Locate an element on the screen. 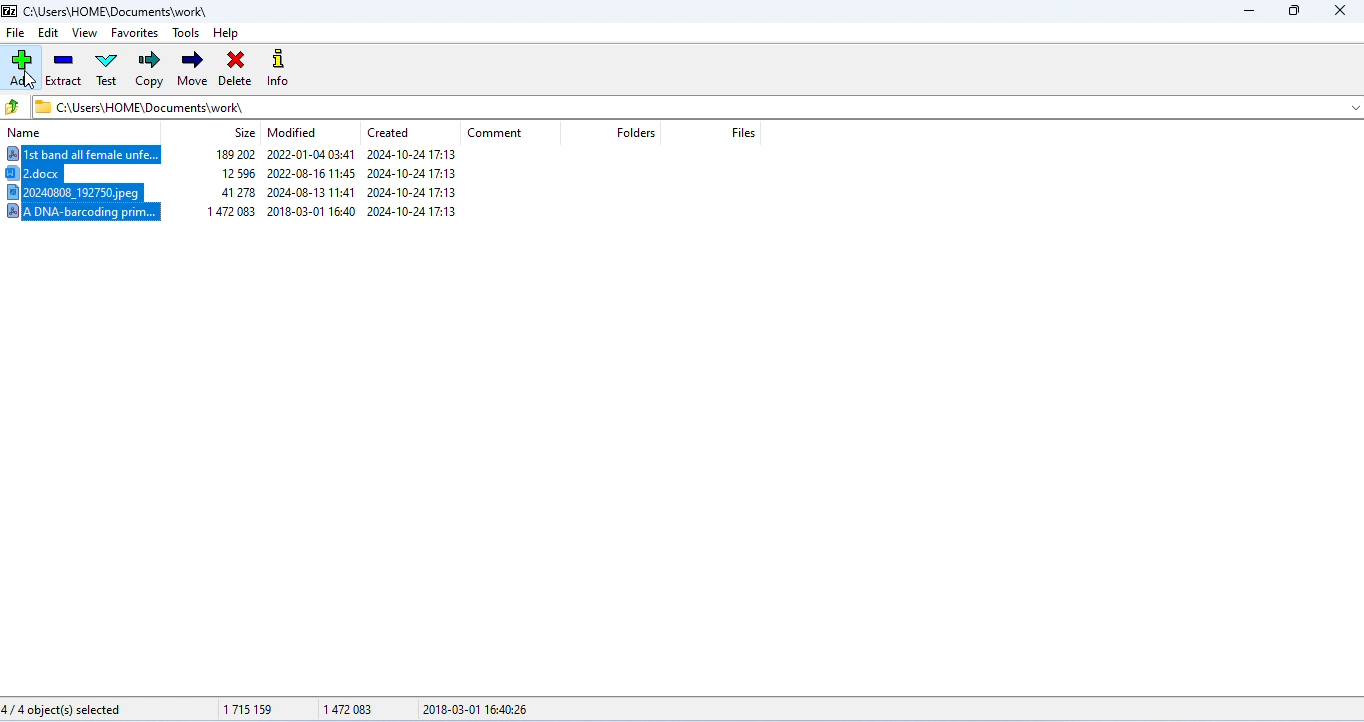 This screenshot has height=722, width=1364. help is located at coordinates (226, 34).